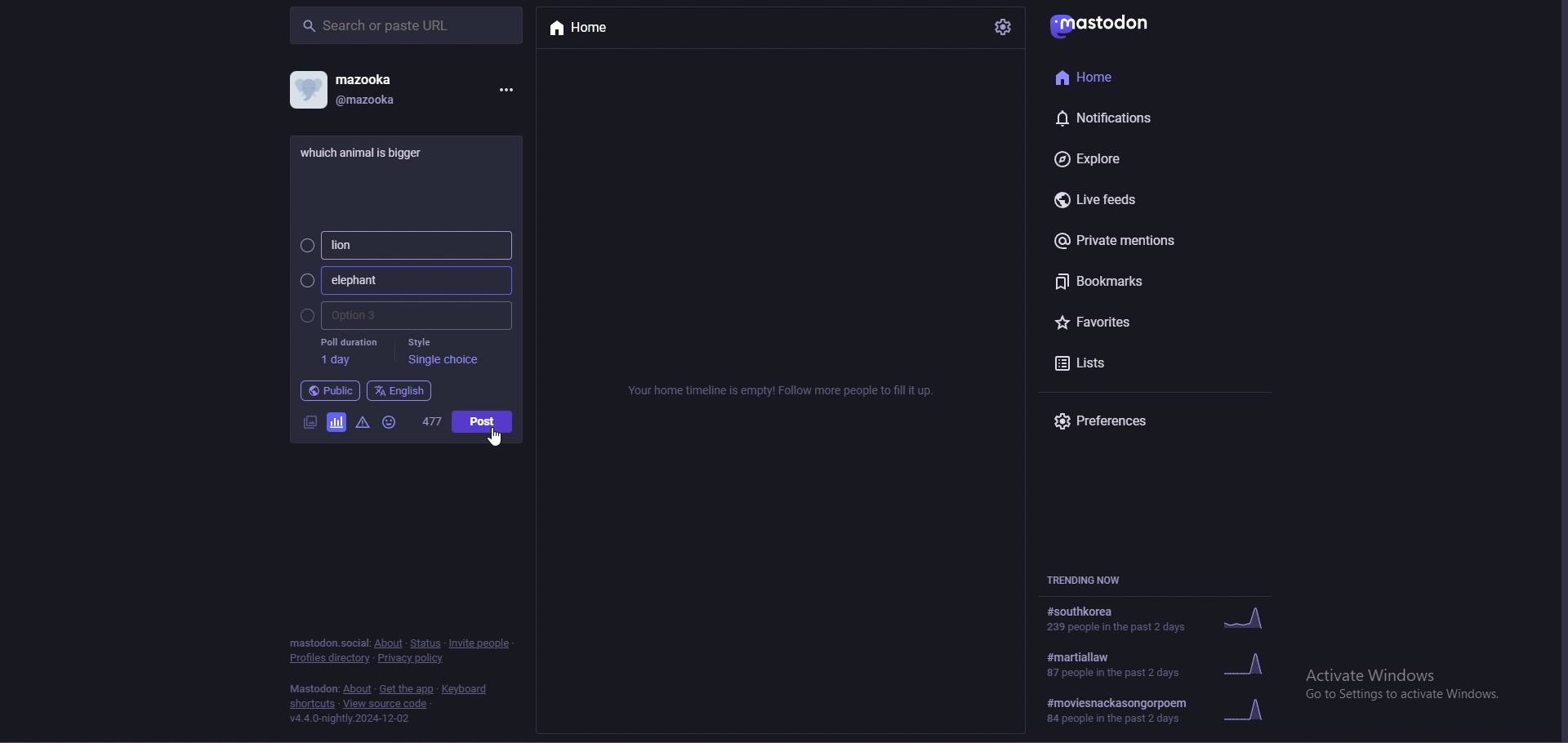  What do you see at coordinates (399, 390) in the screenshot?
I see `language` at bounding box center [399, 390].